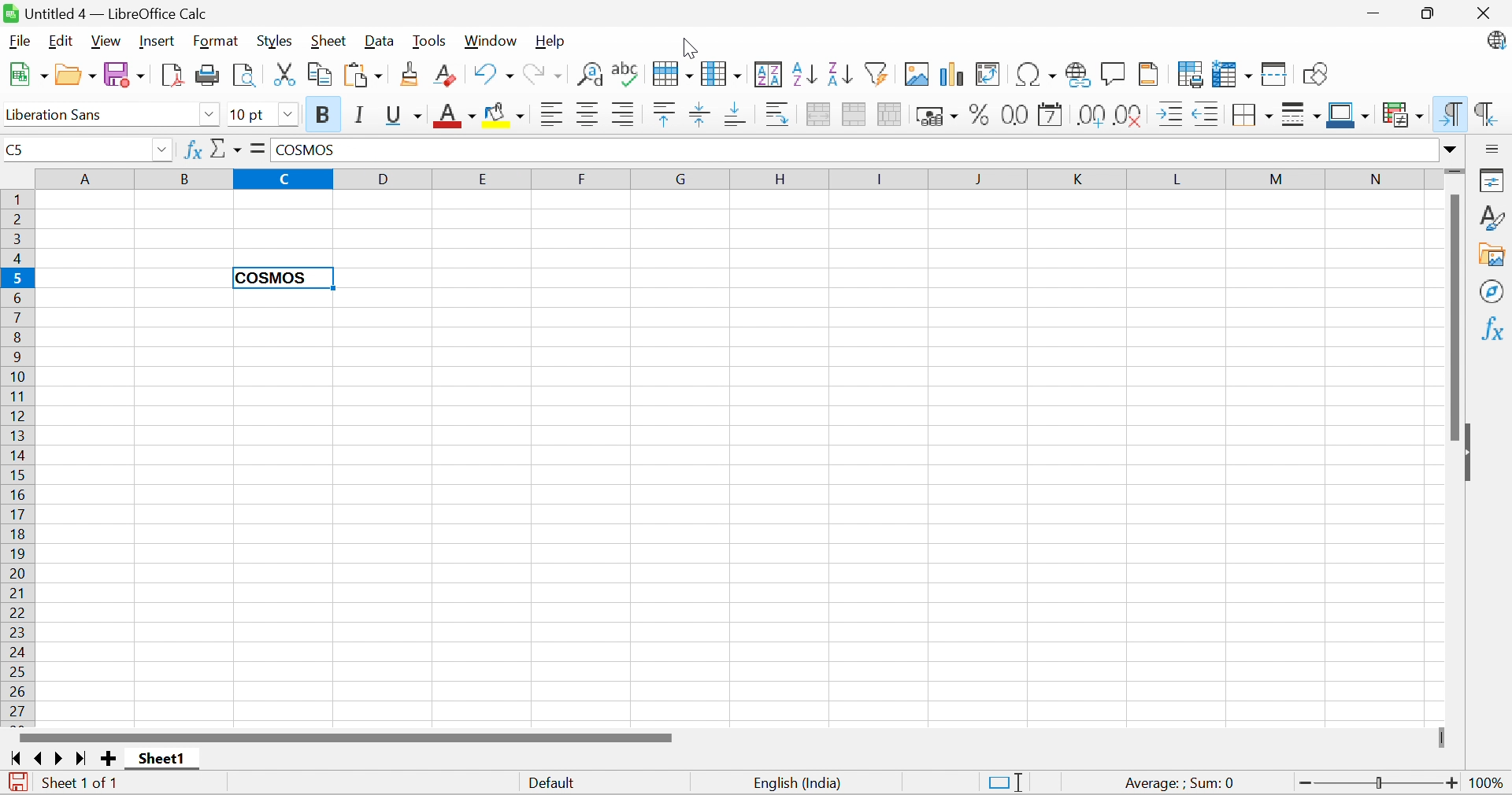  I want to click on Select Function, so click(226, 148).